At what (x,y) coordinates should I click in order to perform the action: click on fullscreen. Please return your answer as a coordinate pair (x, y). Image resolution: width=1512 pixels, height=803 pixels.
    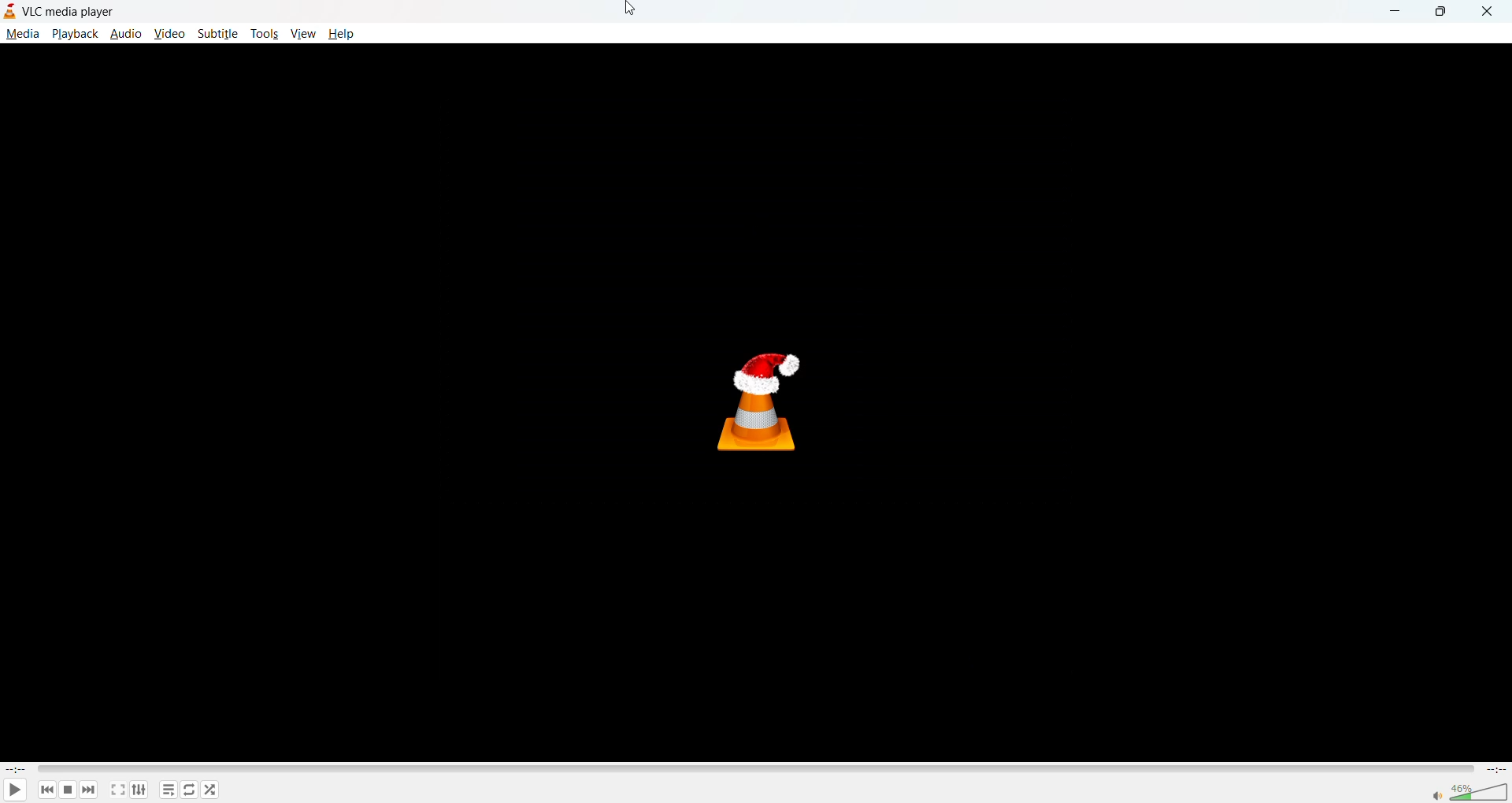
    Looking at the image, I should click on (117, 789).